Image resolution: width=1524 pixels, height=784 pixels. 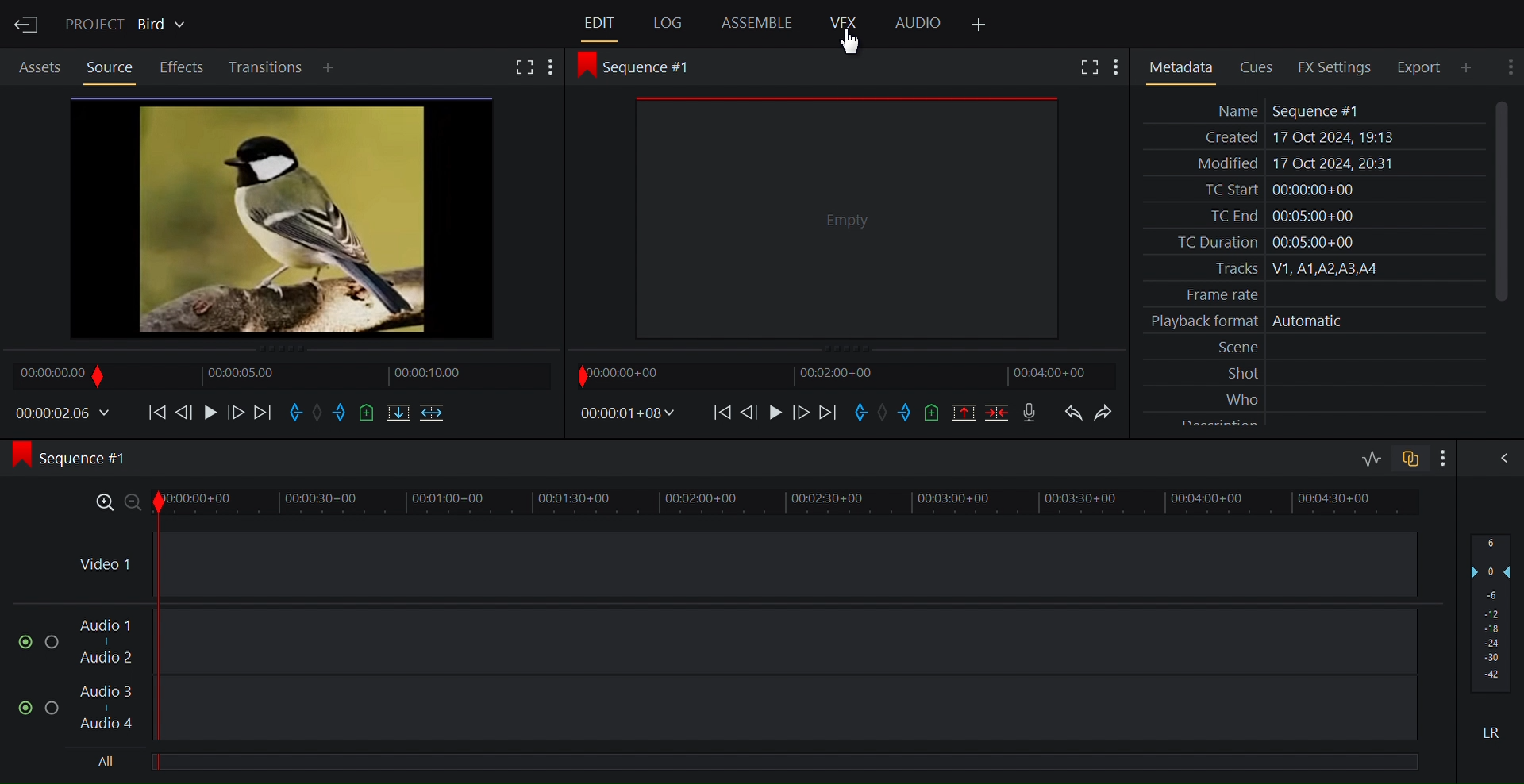 I want to click on Assemble, so click(x=756, y=23).